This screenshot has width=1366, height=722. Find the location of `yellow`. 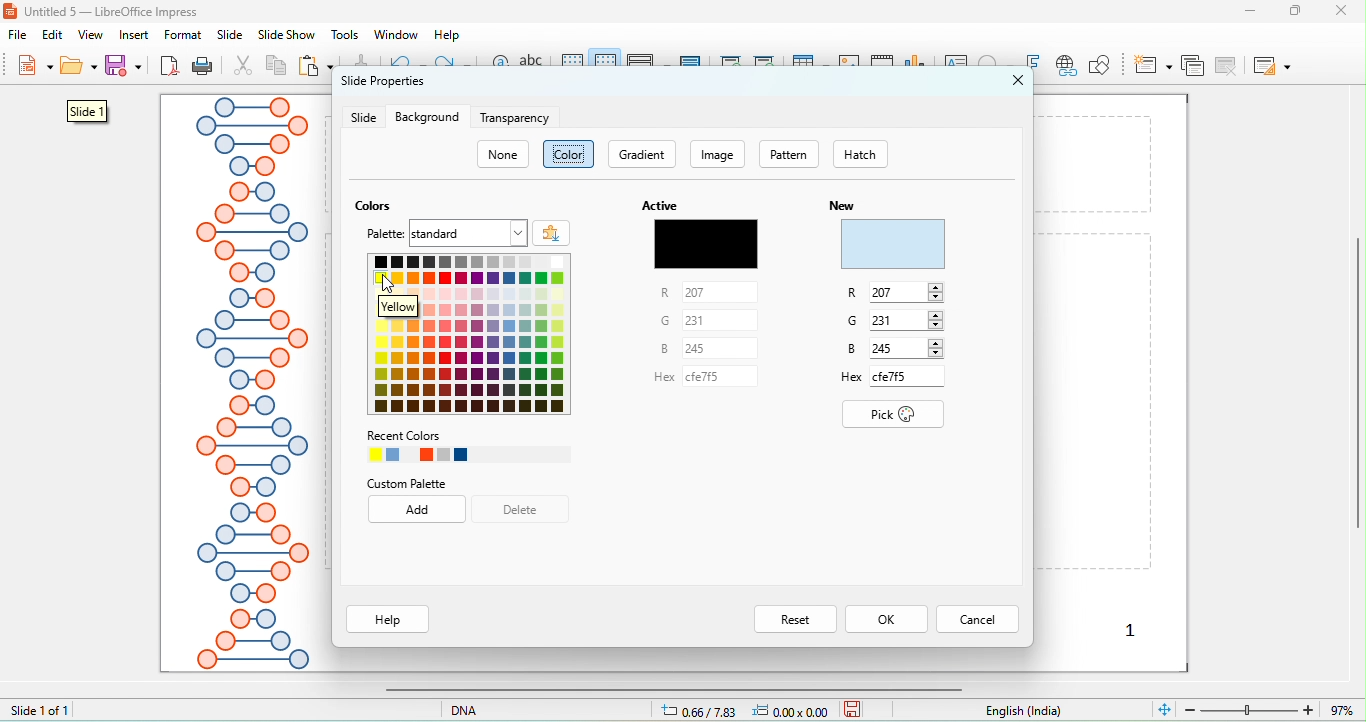

yellow is located at coordinates (420, 308).